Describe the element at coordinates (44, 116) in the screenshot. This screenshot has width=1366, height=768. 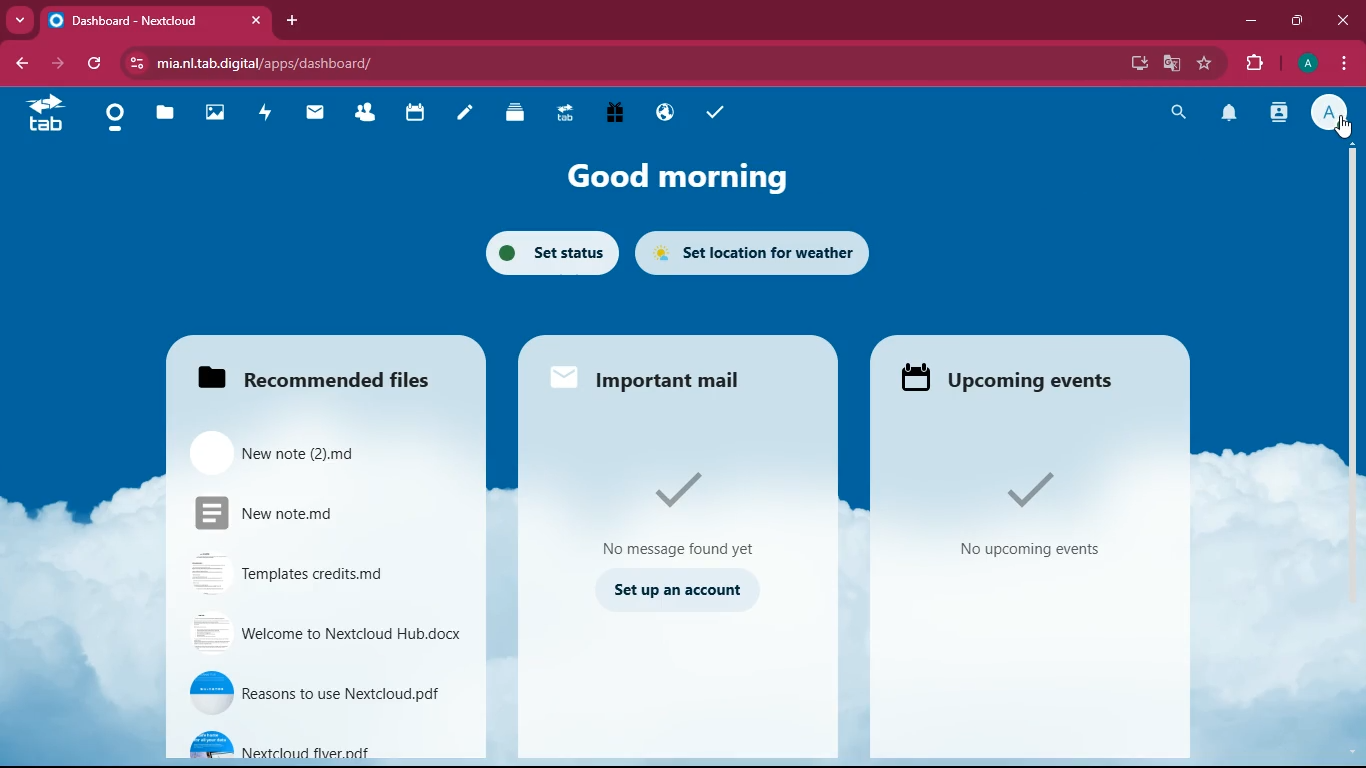
I see `home` at that location.